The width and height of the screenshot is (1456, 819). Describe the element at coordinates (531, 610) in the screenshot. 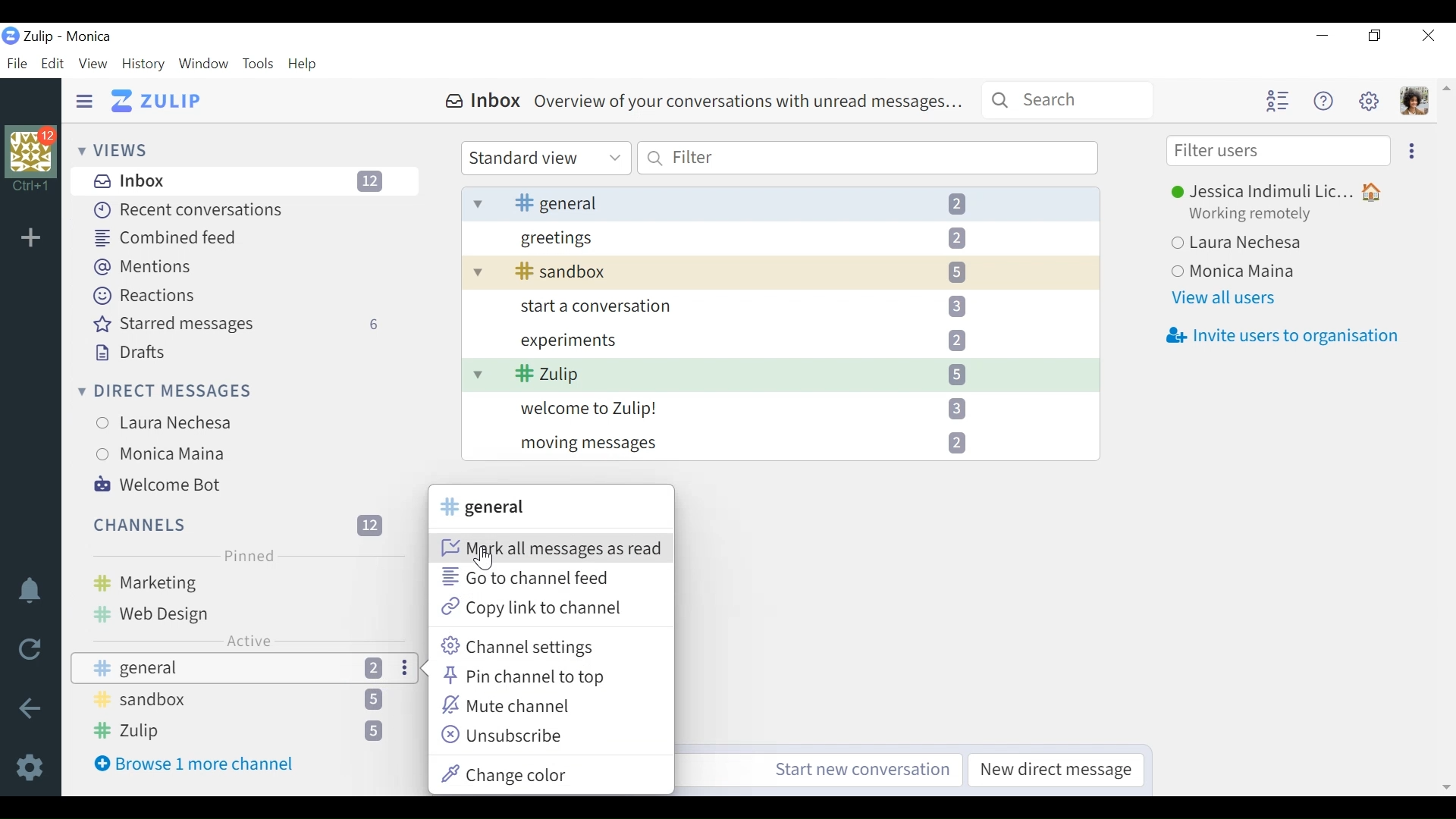

I see `Copy link to channel` at that location.